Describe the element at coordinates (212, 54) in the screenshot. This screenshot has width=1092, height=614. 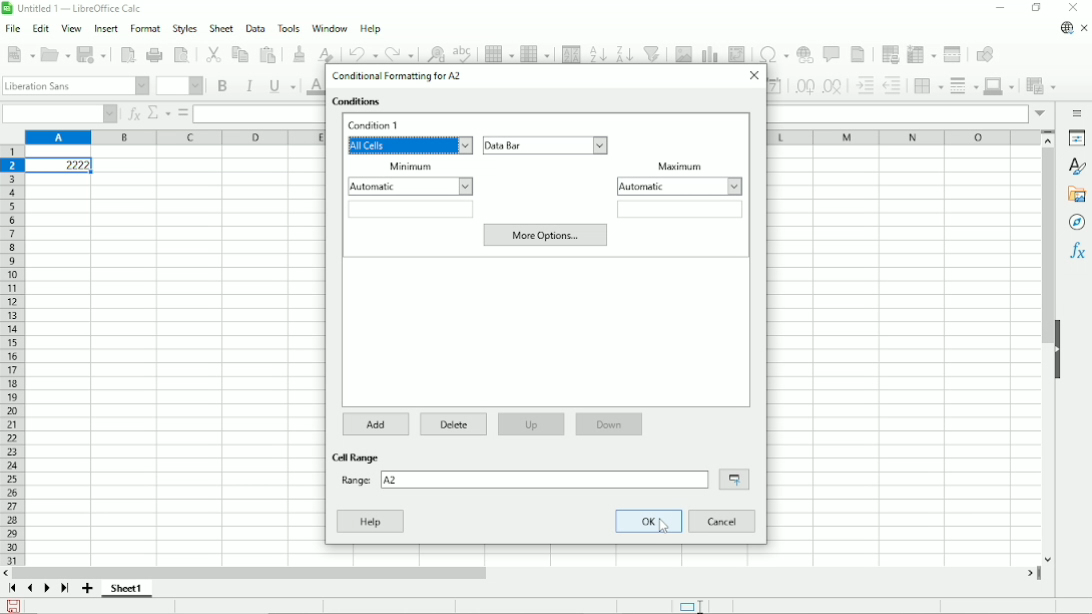
I see `Cut` at that location.